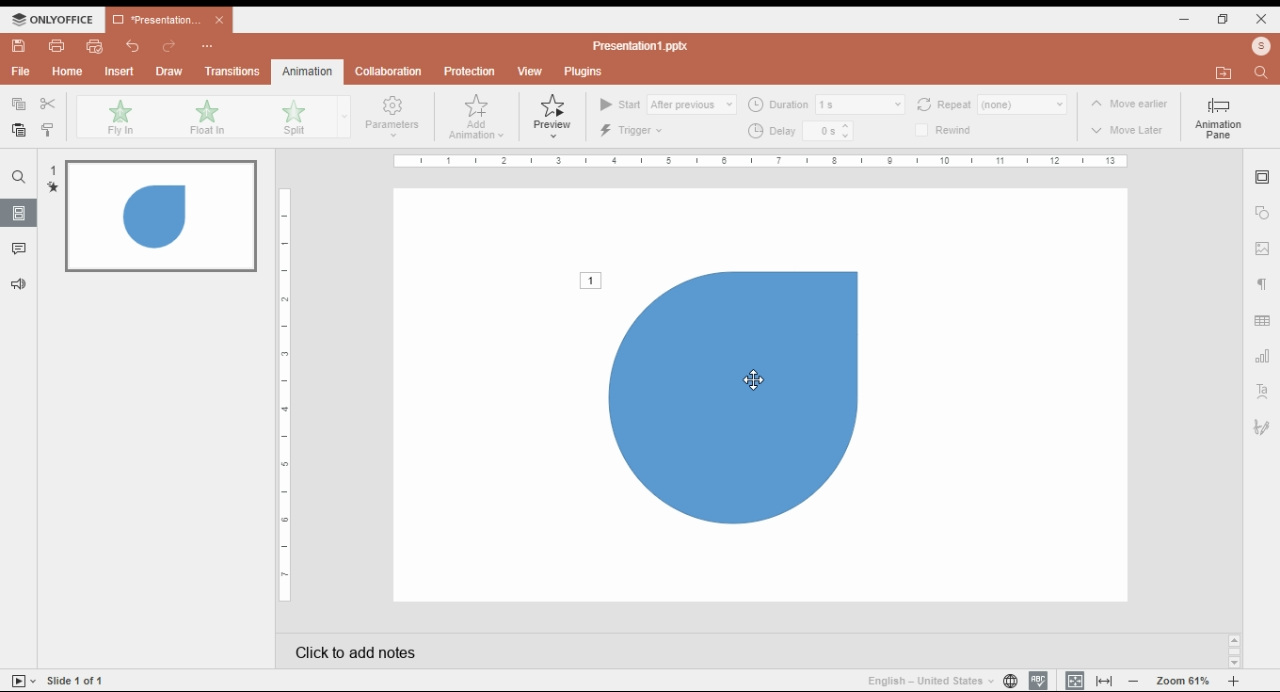 Image resolution: width=1280 pixels, height=692 pixels. I want to click on save, so click(19, 46).